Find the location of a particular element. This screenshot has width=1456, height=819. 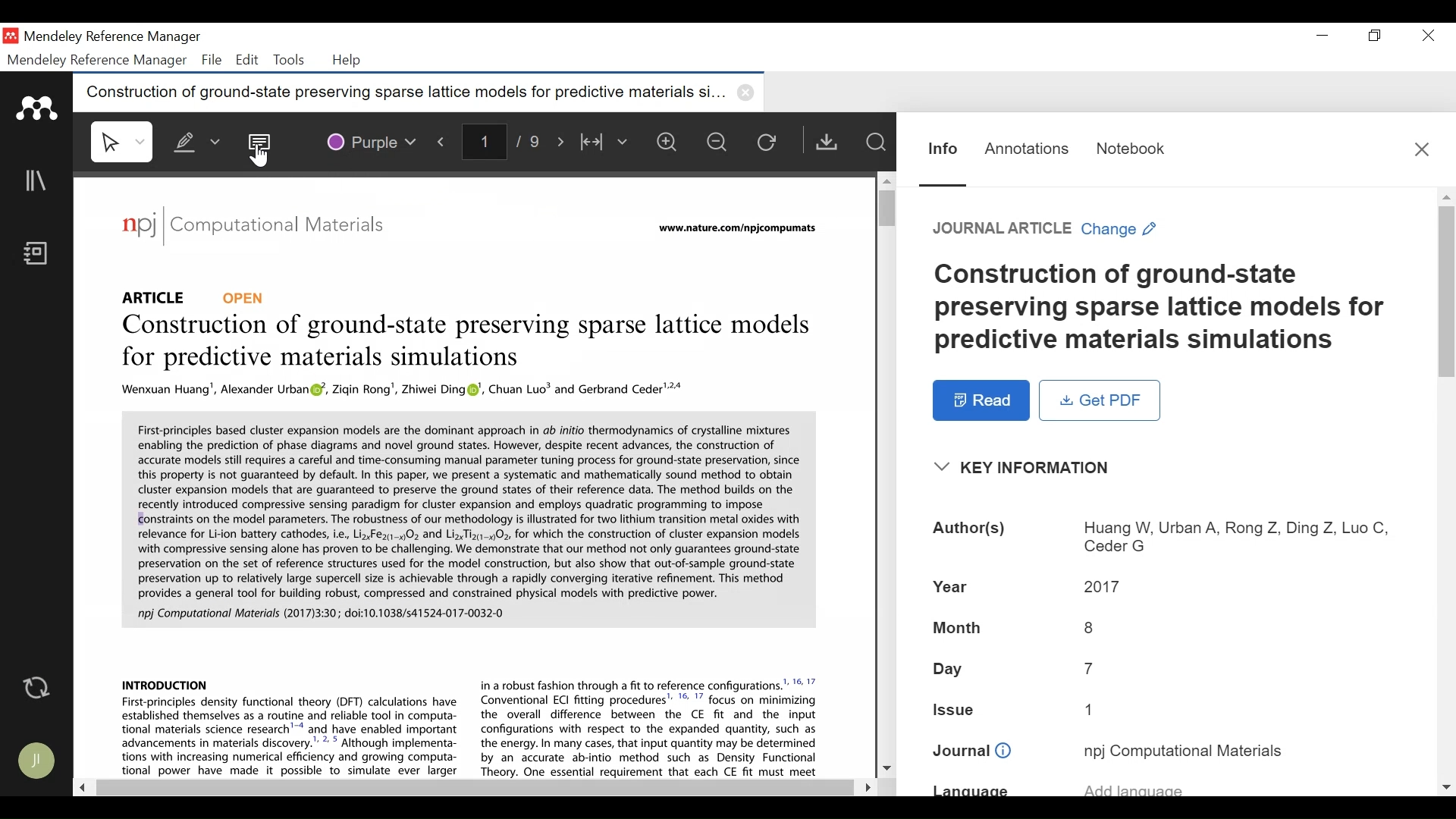

Get PDF is located at coordinates (1100, 400).